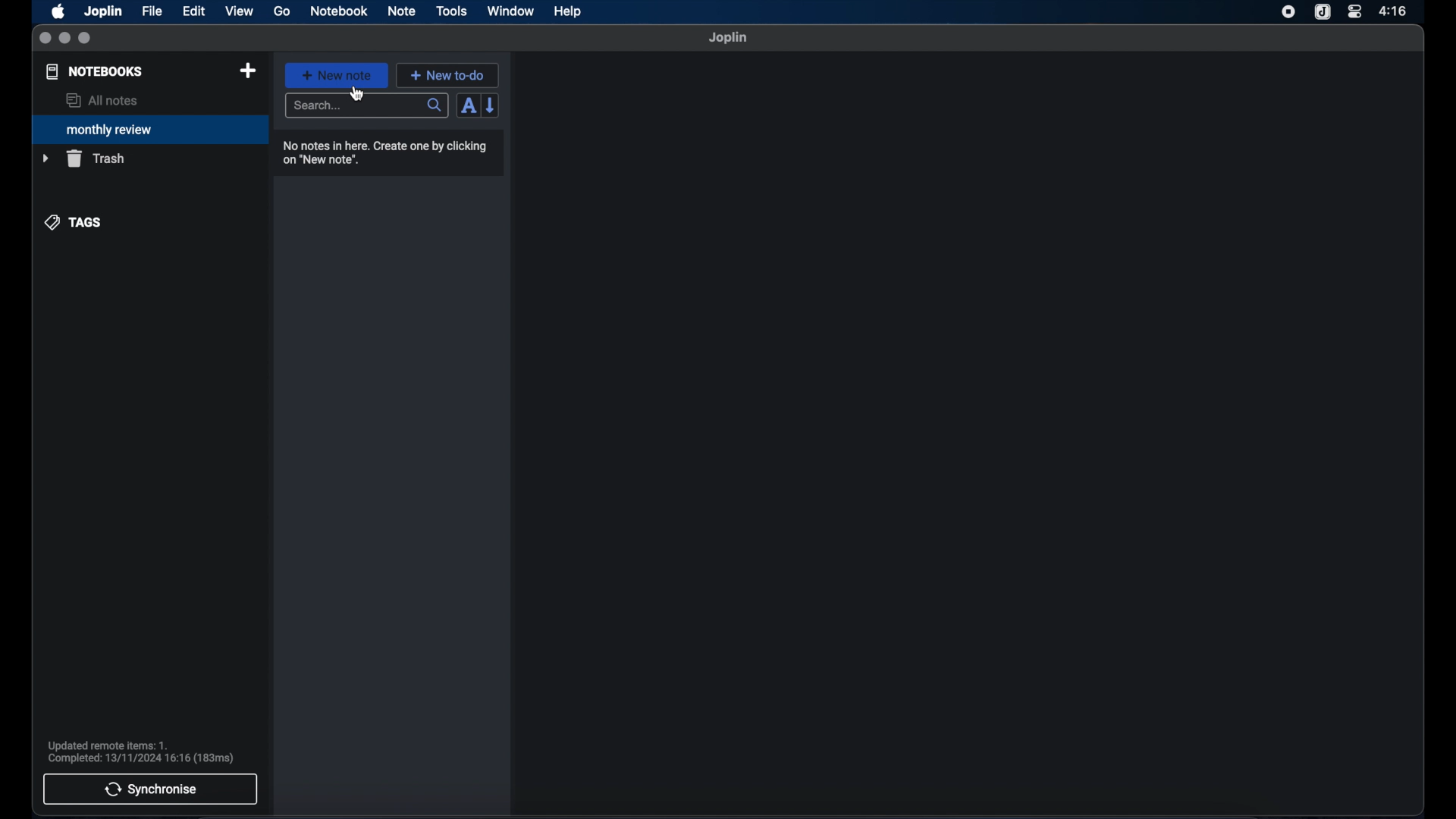 This screenshot has width=1456, height=819. Describe the element at coordinates (141, 752) in the screenshot. I see `sync notification` at that location.